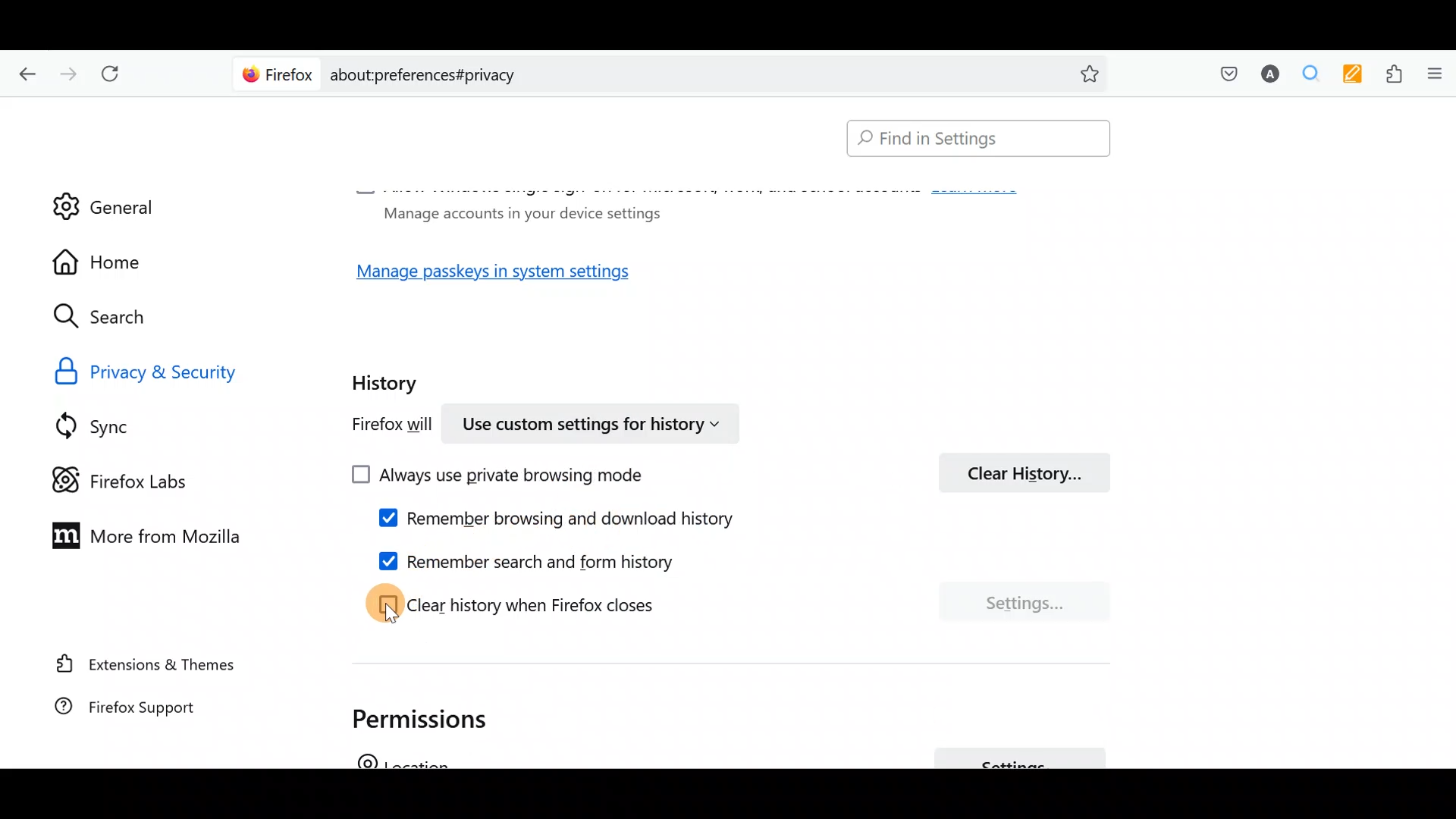 This screenshot has width=1456, height=819. What do you see at coordinates (1348, 76) in the screenshot?
I see `Multi keywords highlighter` at bounding box center [1348, 76].